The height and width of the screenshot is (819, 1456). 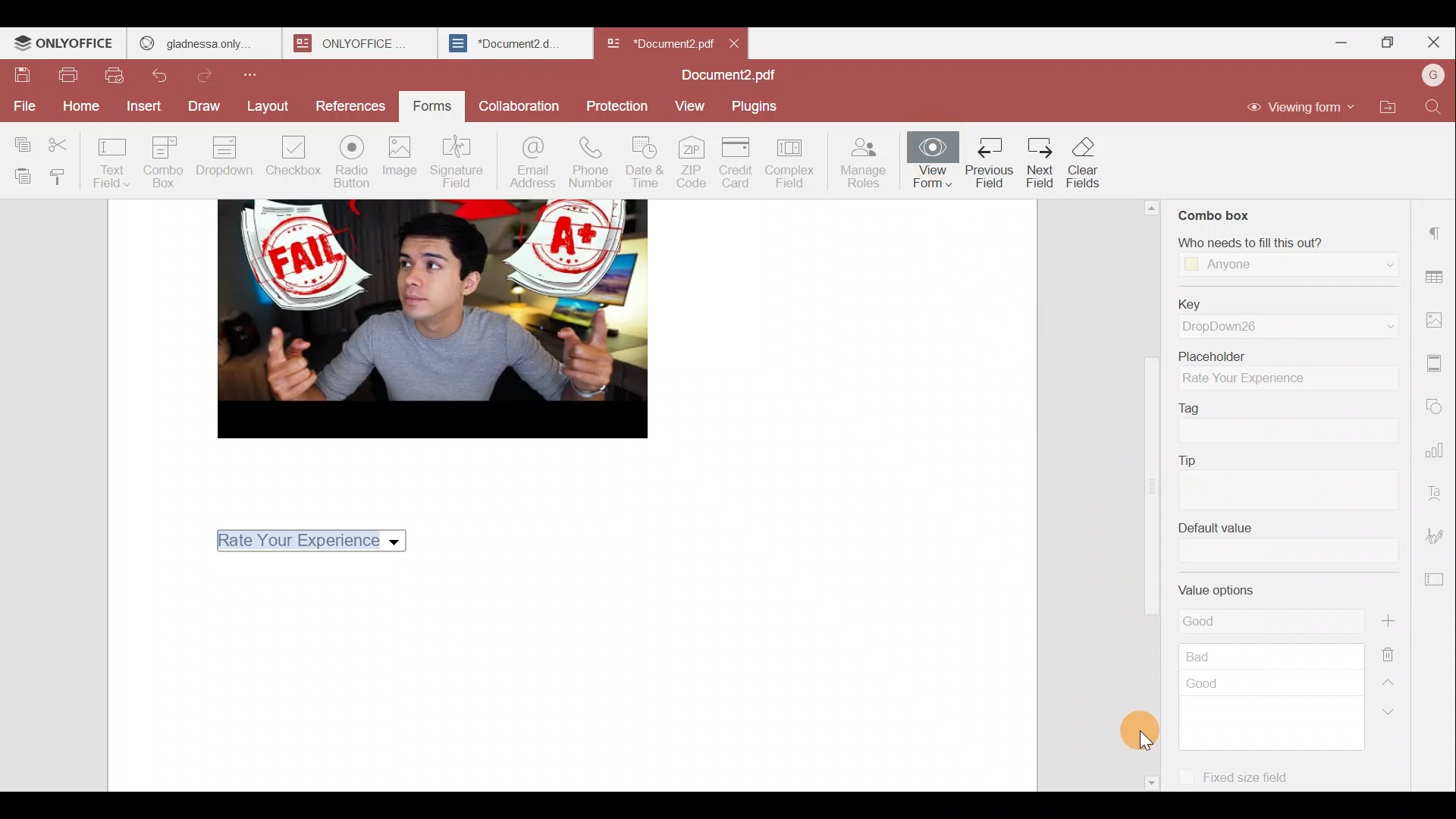 What do you see at coordinates (692, 164) in the screenshot?
I see `ZIP code` at bounding box center [692, 164].